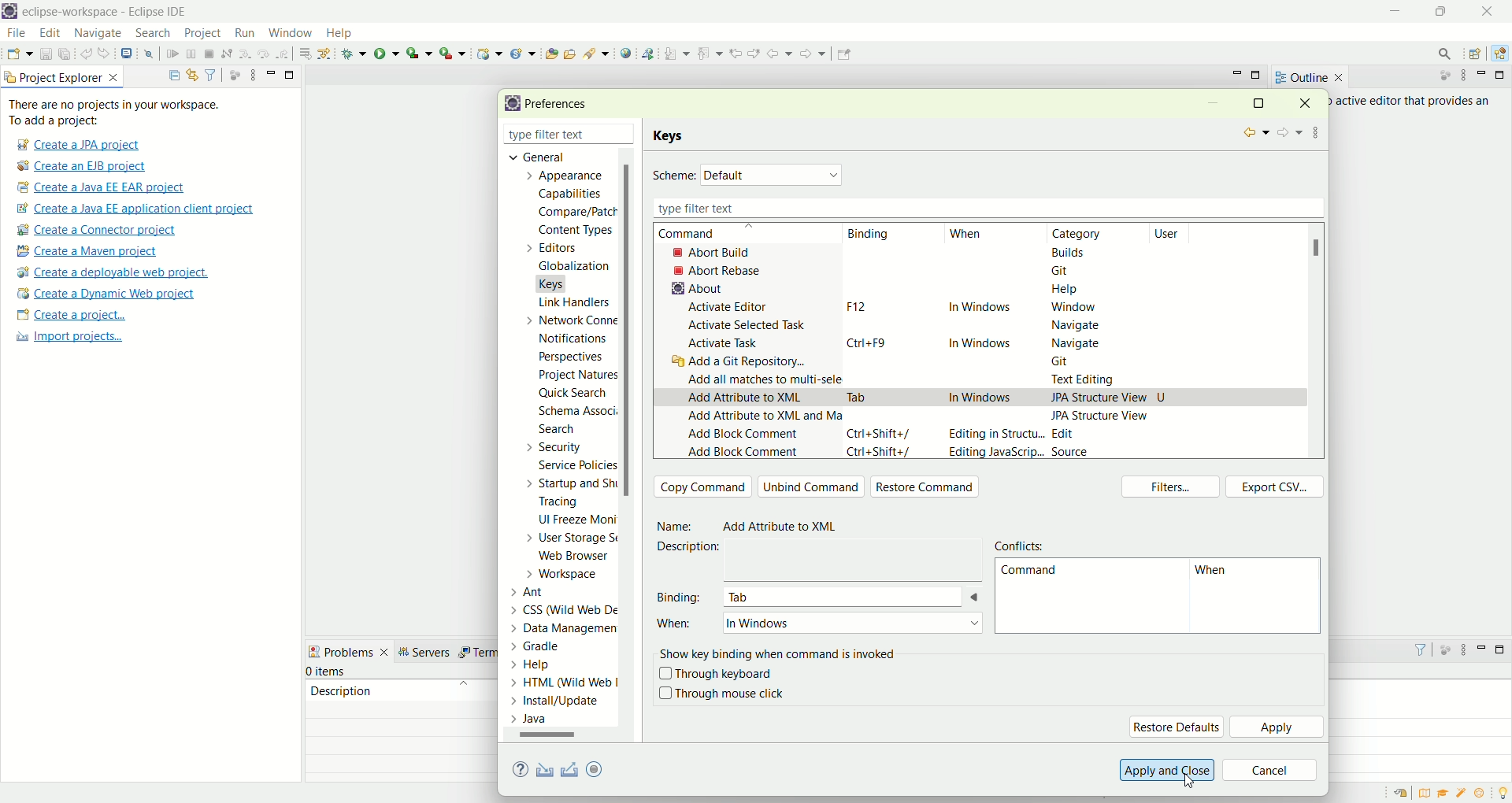 The image size is (1512, 803). What do you see at coordinates (1258, 76) in the screenshot?
I see `maximize` at bounding box center [1258, 76].